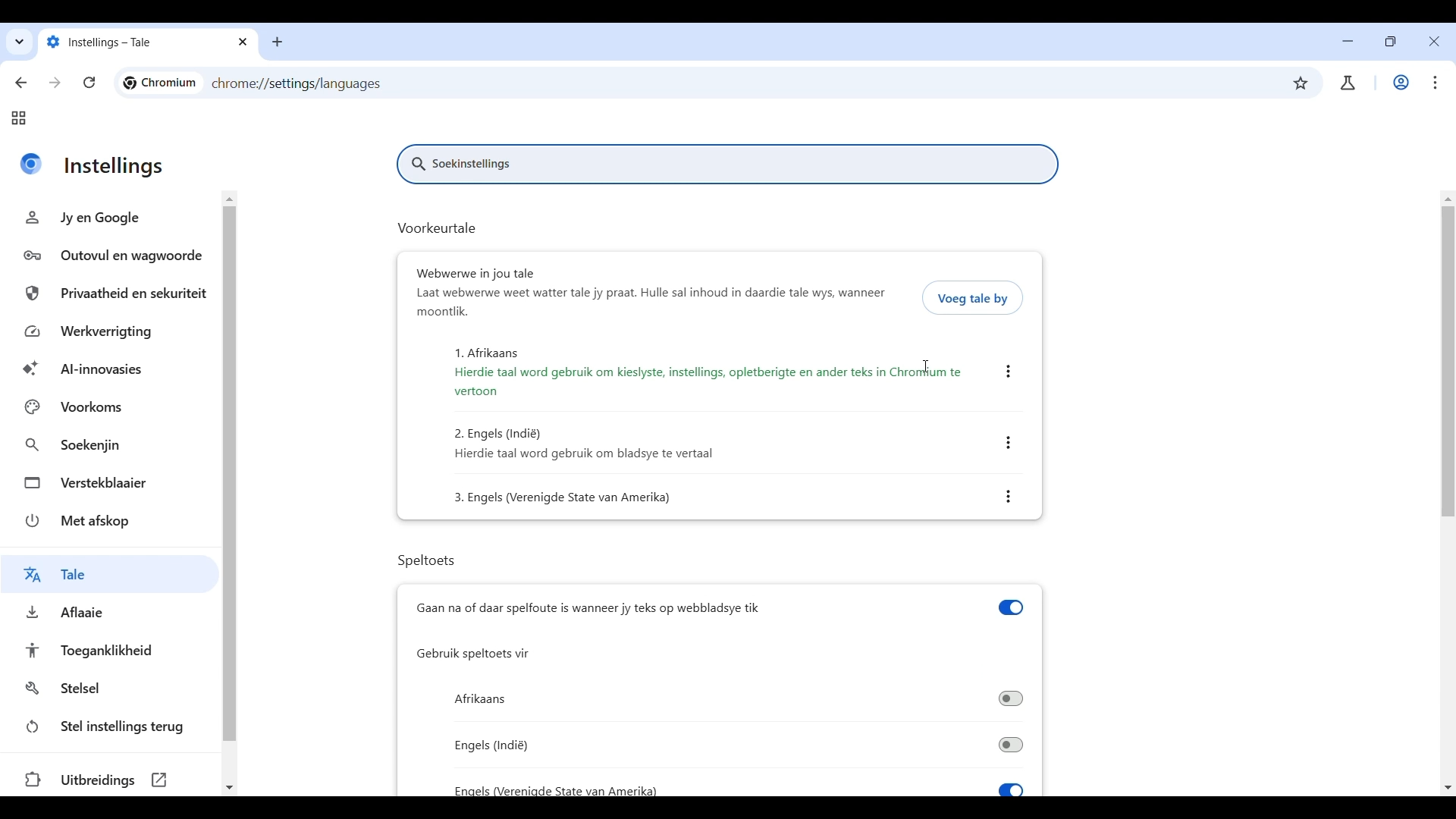  I want to click on Met afskop, so click(91, 521).